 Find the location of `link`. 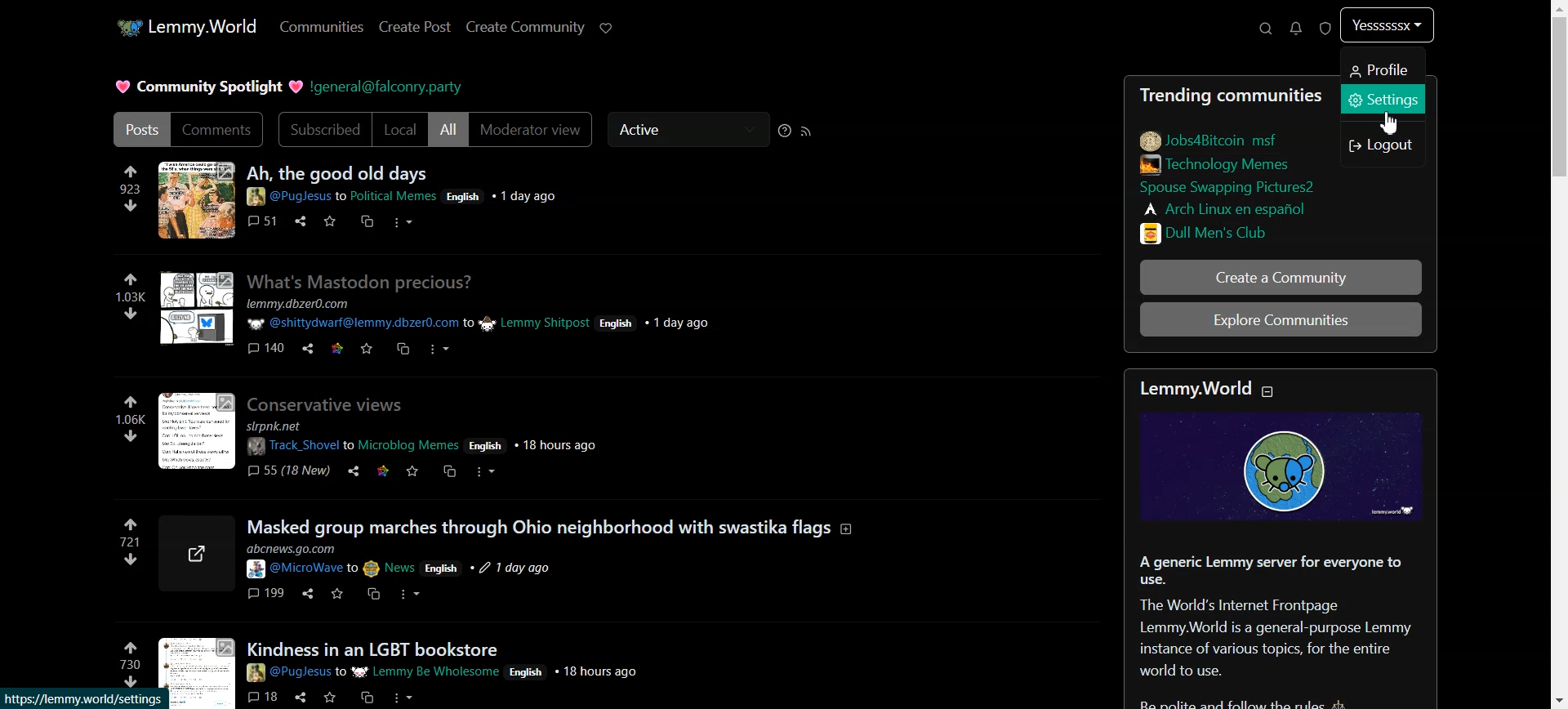

link is located at coordinates (1213, 232).